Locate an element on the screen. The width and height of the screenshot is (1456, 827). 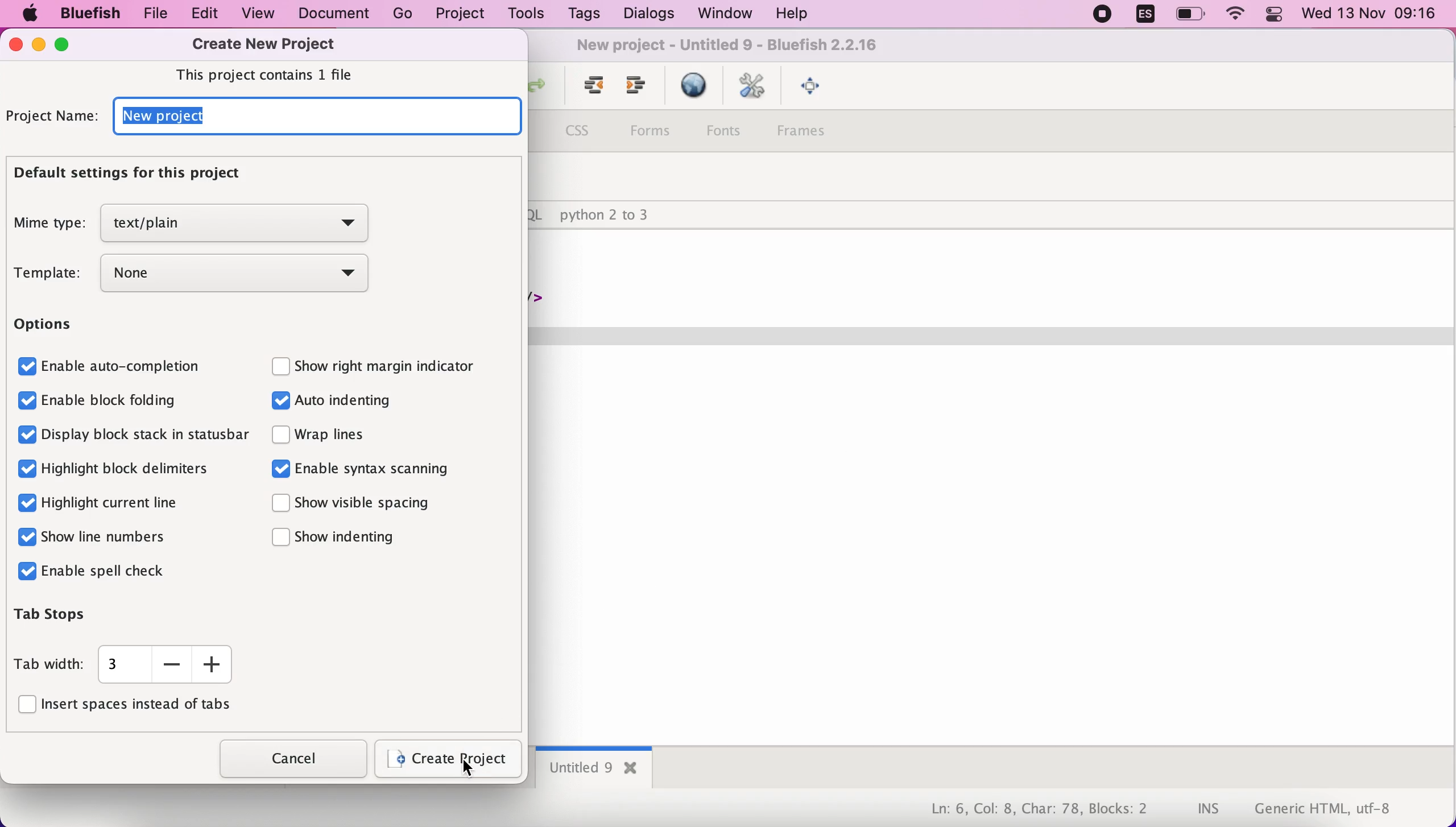
frames is located at coordinates (813, 134).